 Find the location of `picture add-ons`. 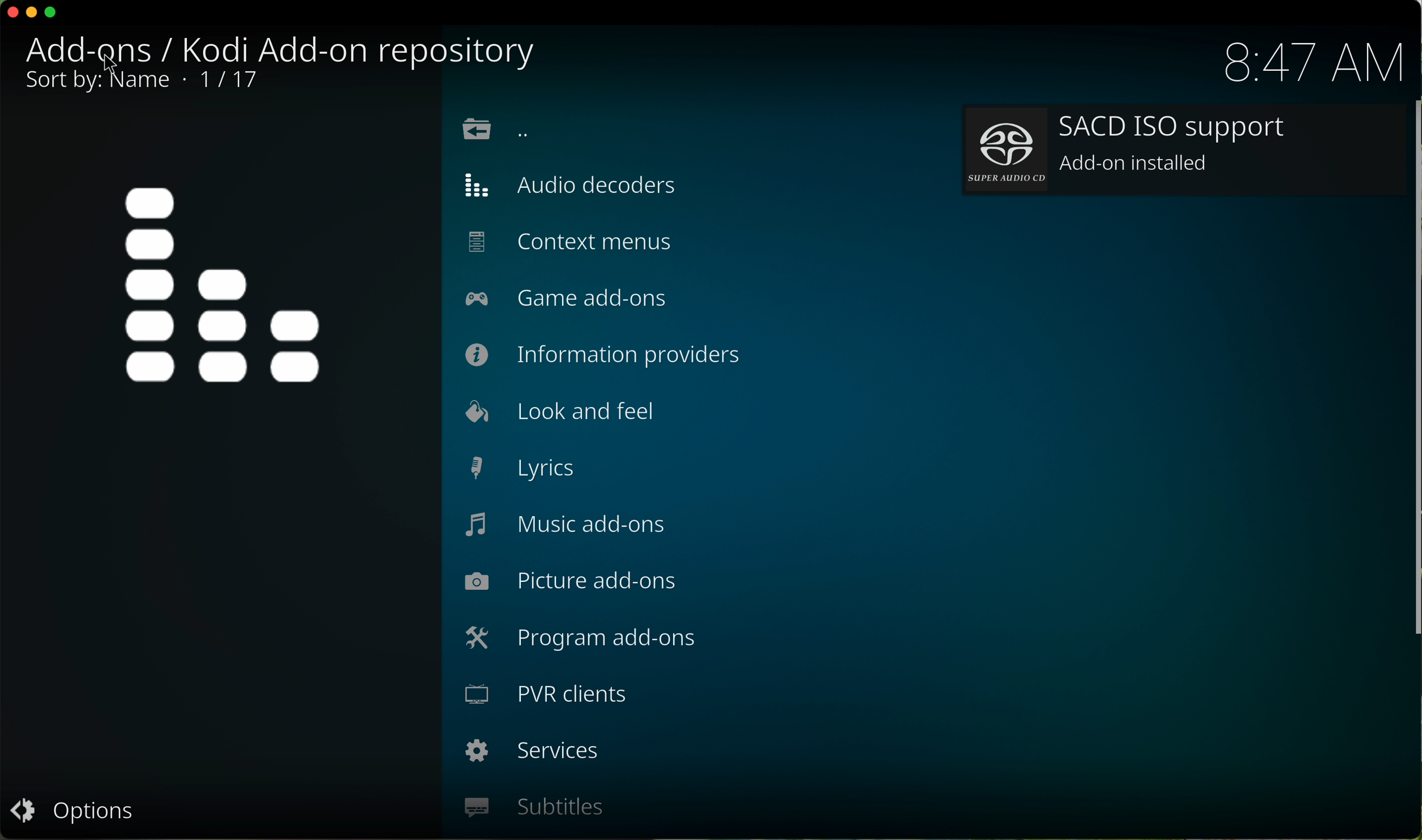

picture add-ons is located at coordinates (571, 582).